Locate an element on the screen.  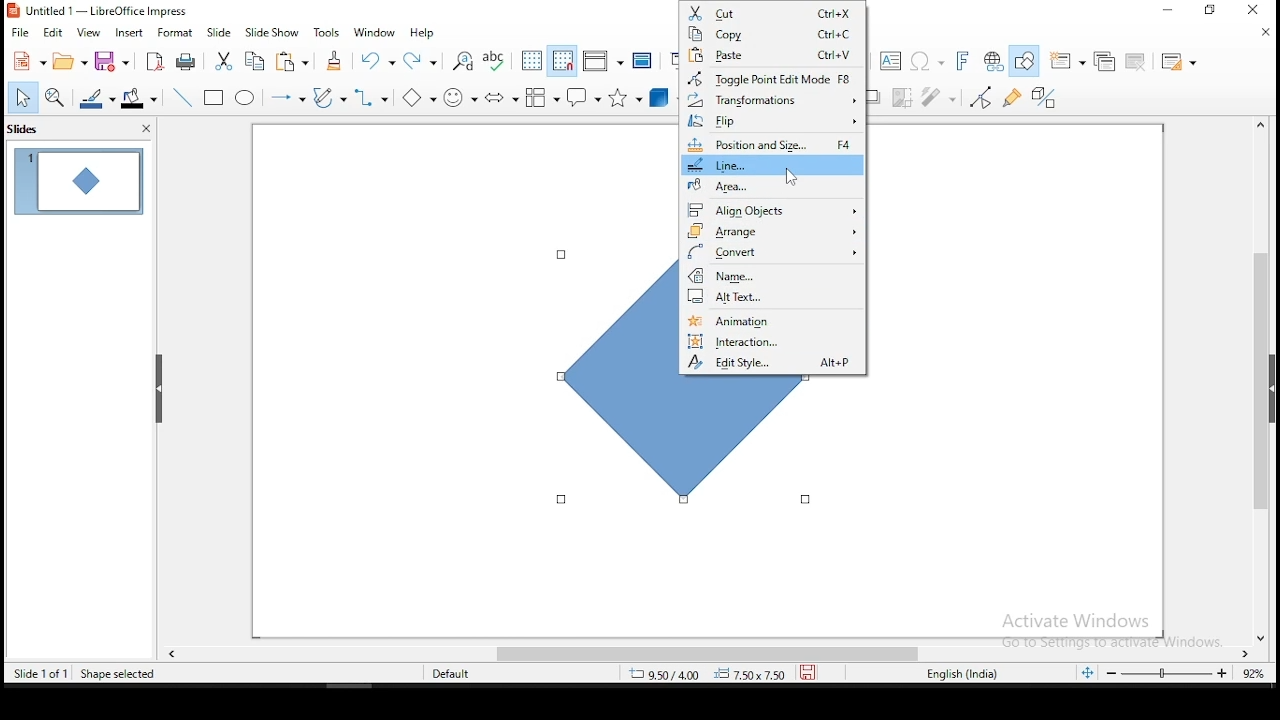
window is located at coordinates (375, 31).